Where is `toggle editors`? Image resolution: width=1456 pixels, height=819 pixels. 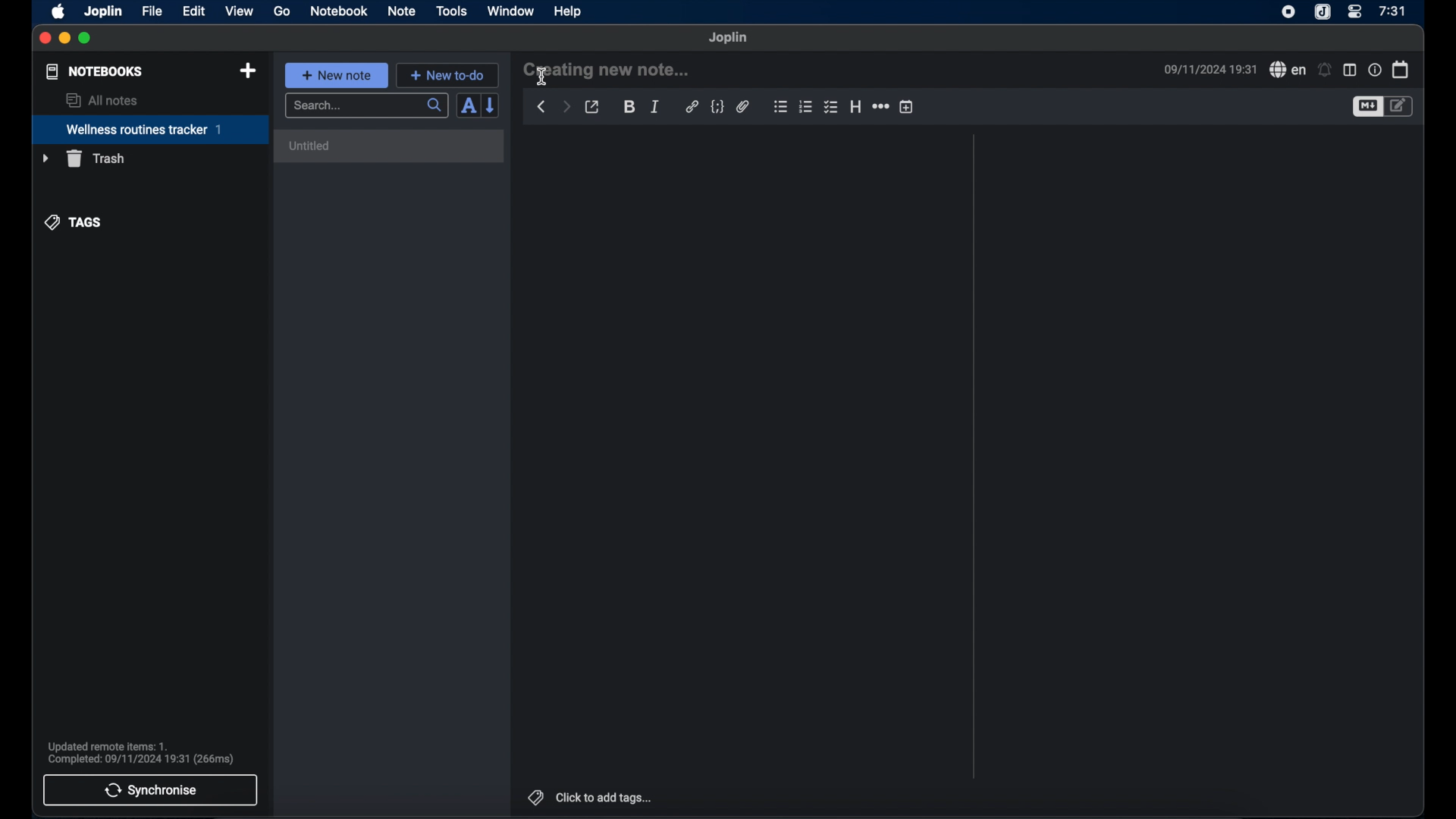 toggle editors is located at coordinates (1367, 106).